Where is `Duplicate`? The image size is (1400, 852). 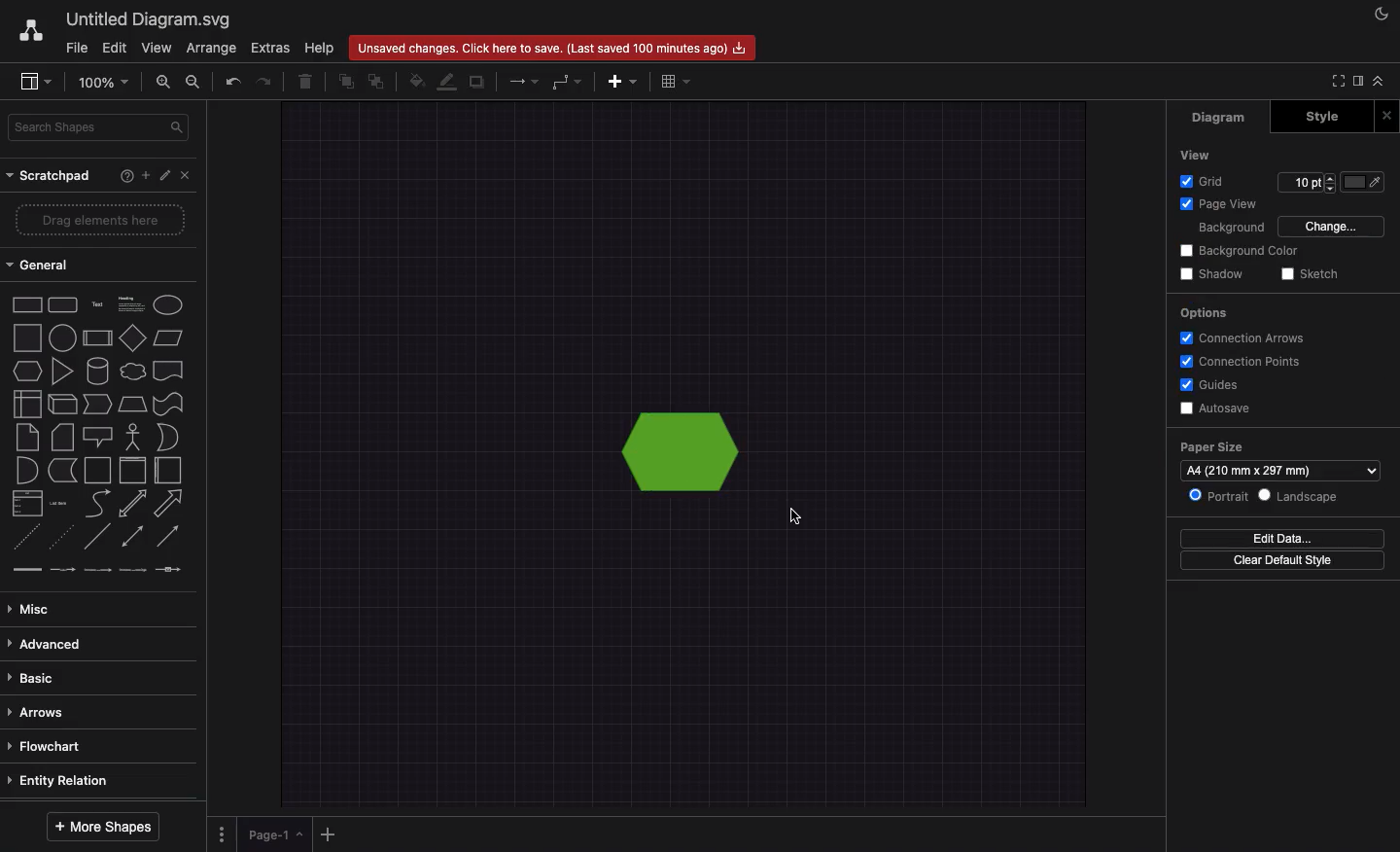 Duplicate is located at coordinates (479, 82).